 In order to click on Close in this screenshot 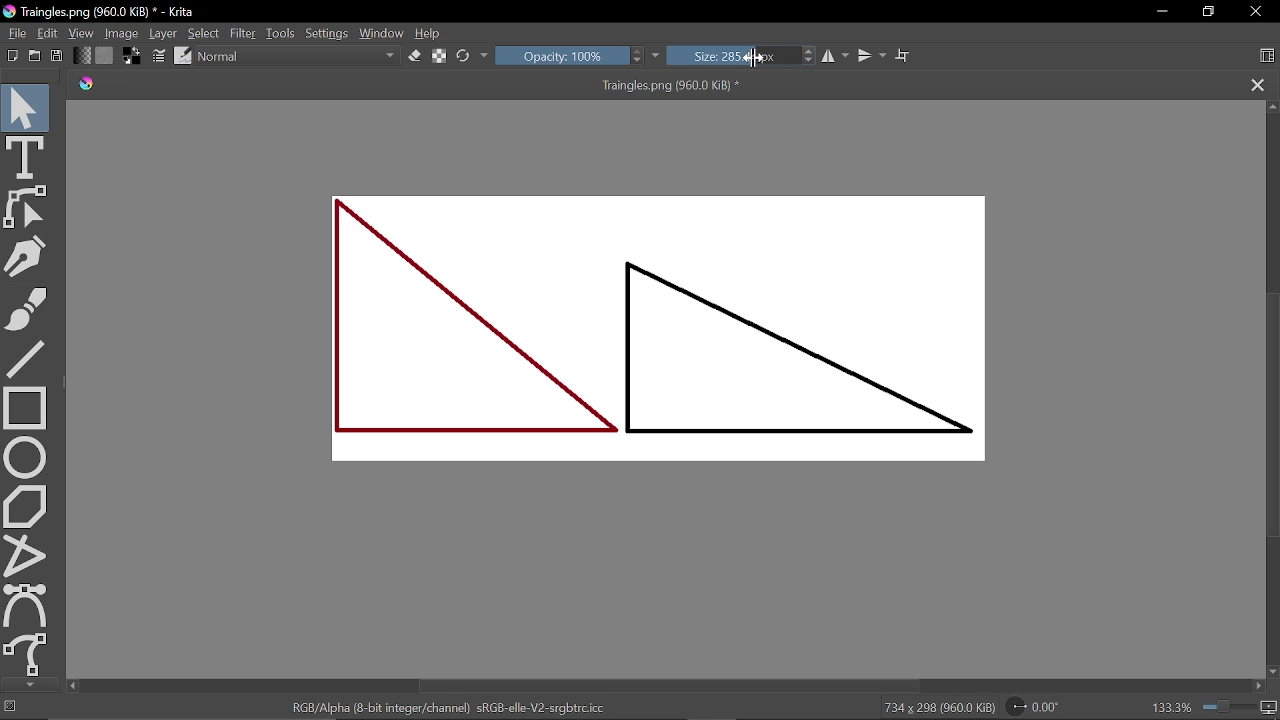, I will do `click(1253, 12)`.